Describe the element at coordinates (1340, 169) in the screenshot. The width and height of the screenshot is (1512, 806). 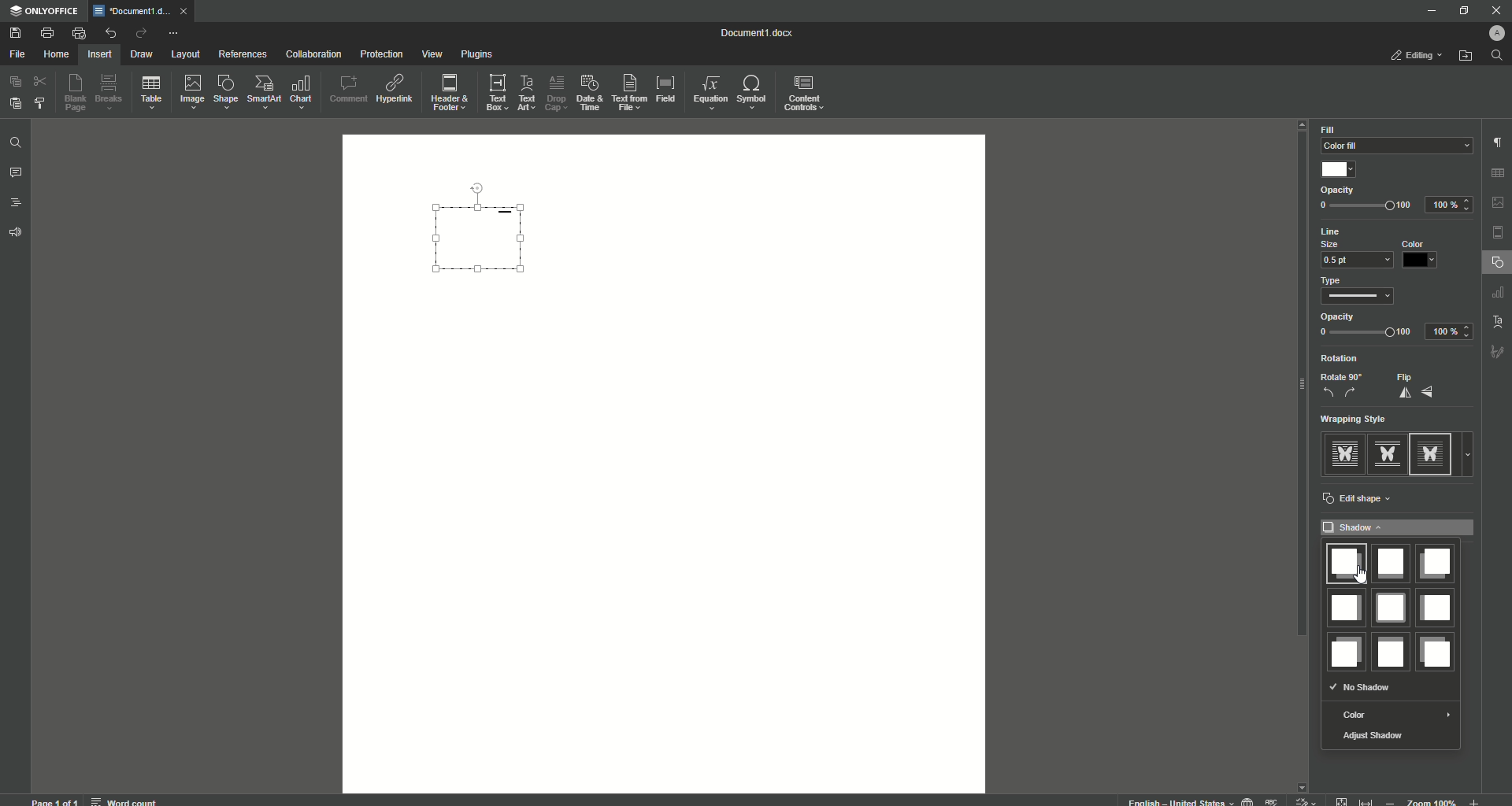
I see `White Box` at that location.